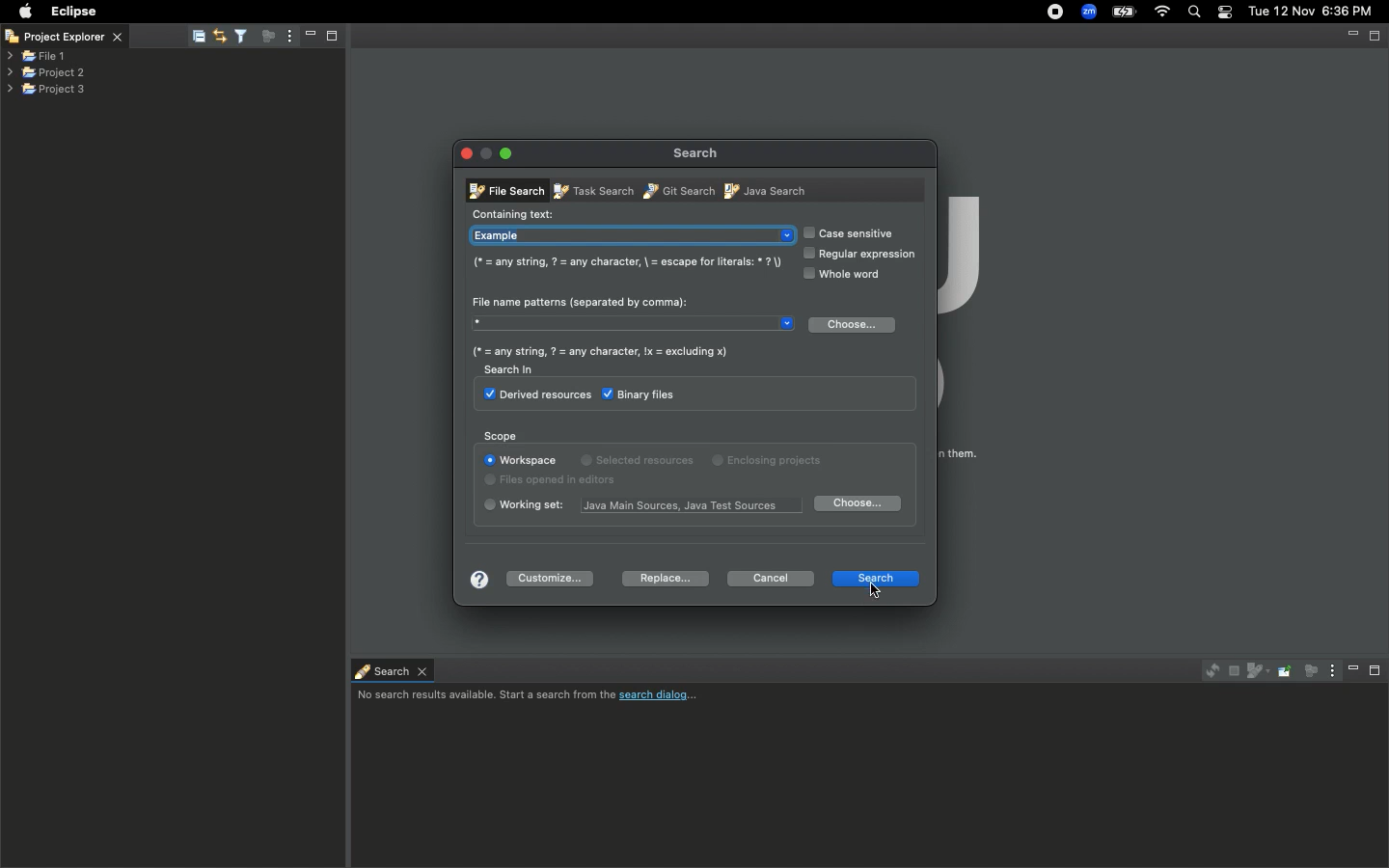  Describe the element at coordinates (591, 193) in the screenshot. I see `Task` at that location.